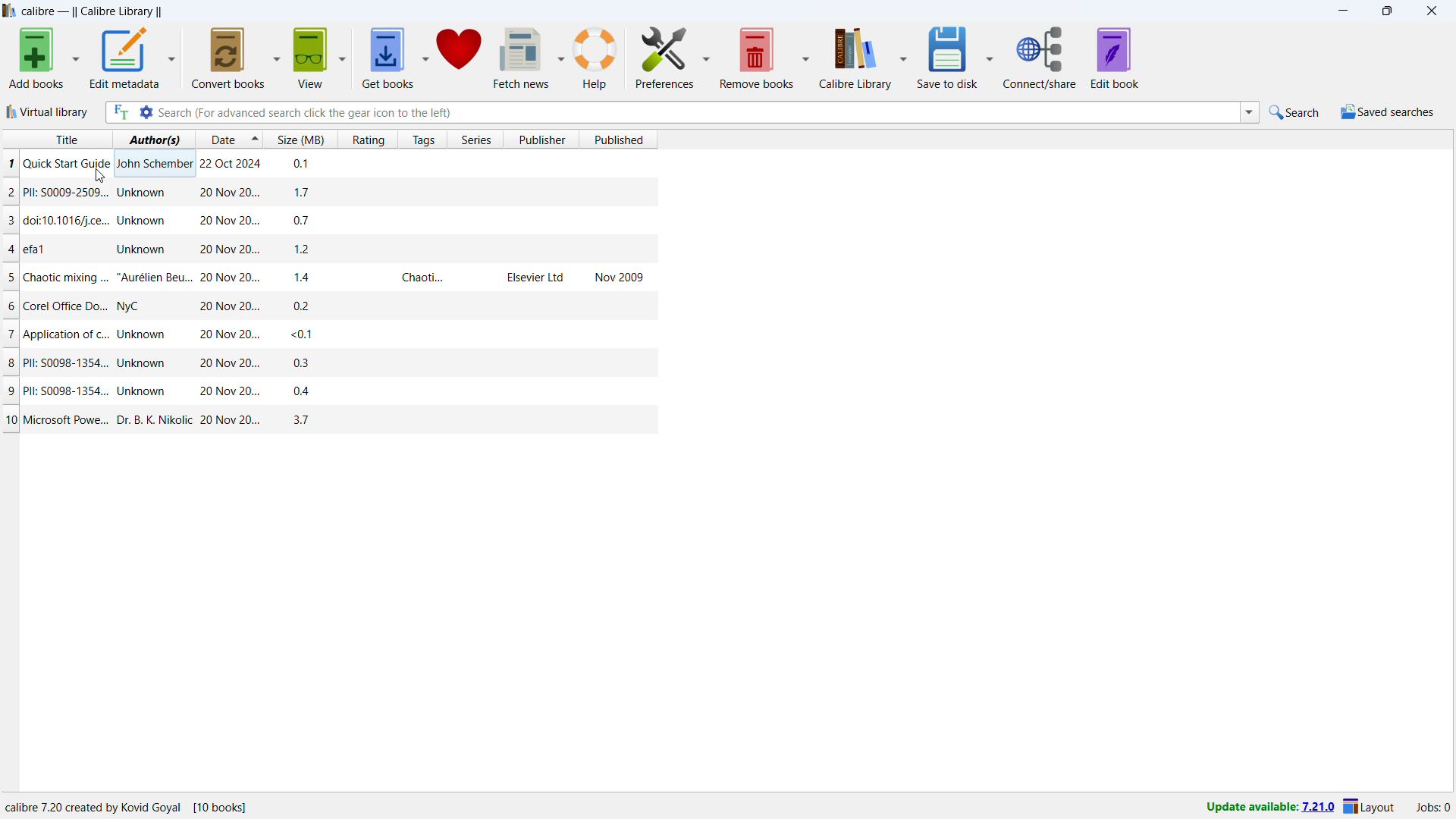 Image resolution: width=1456 pixels, height=819 pixels. I want to click on save to disk options, so click(989, 55).